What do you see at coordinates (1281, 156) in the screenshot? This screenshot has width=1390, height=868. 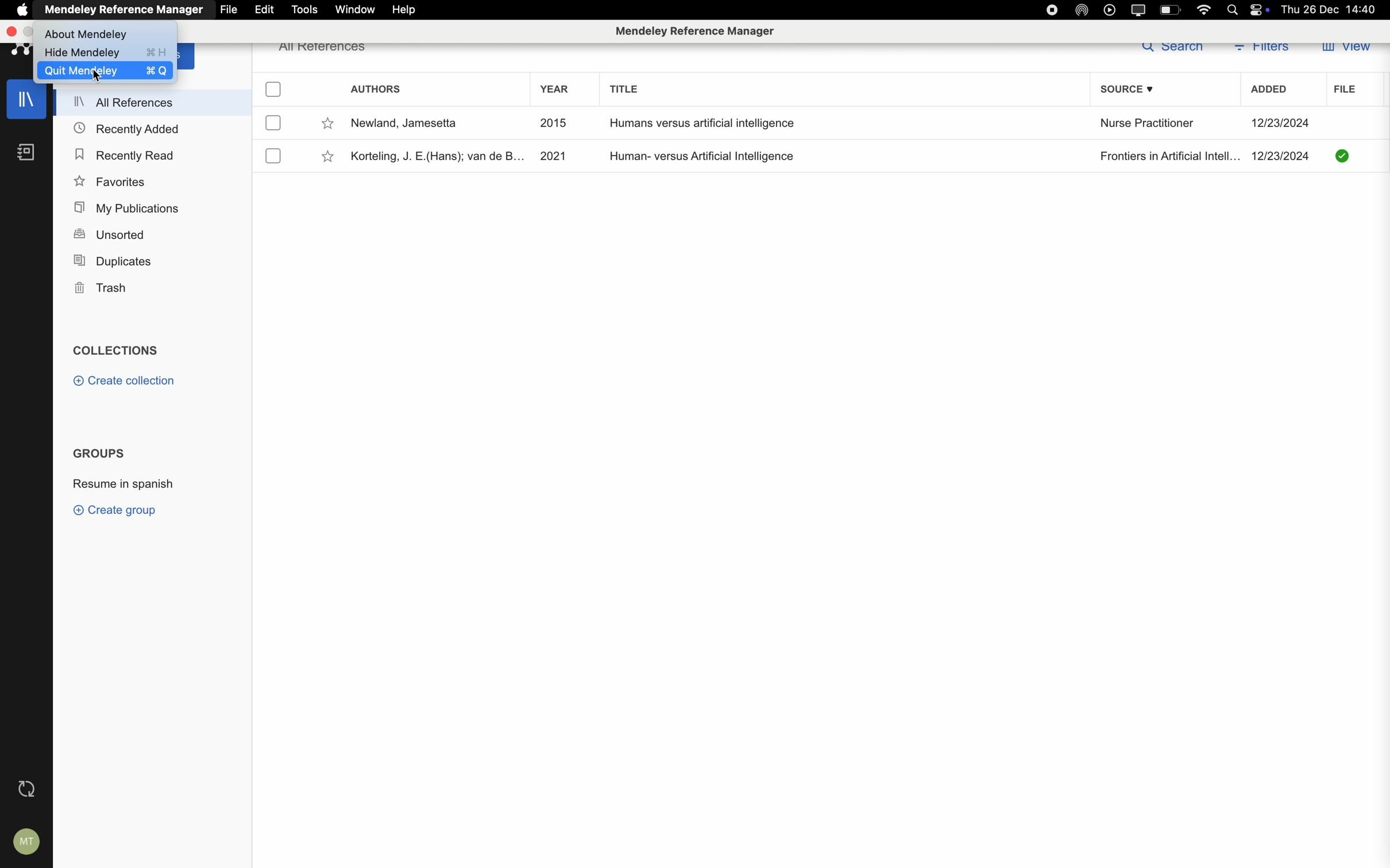 I see `12/23/2024` at bounding box center [1281, 156].